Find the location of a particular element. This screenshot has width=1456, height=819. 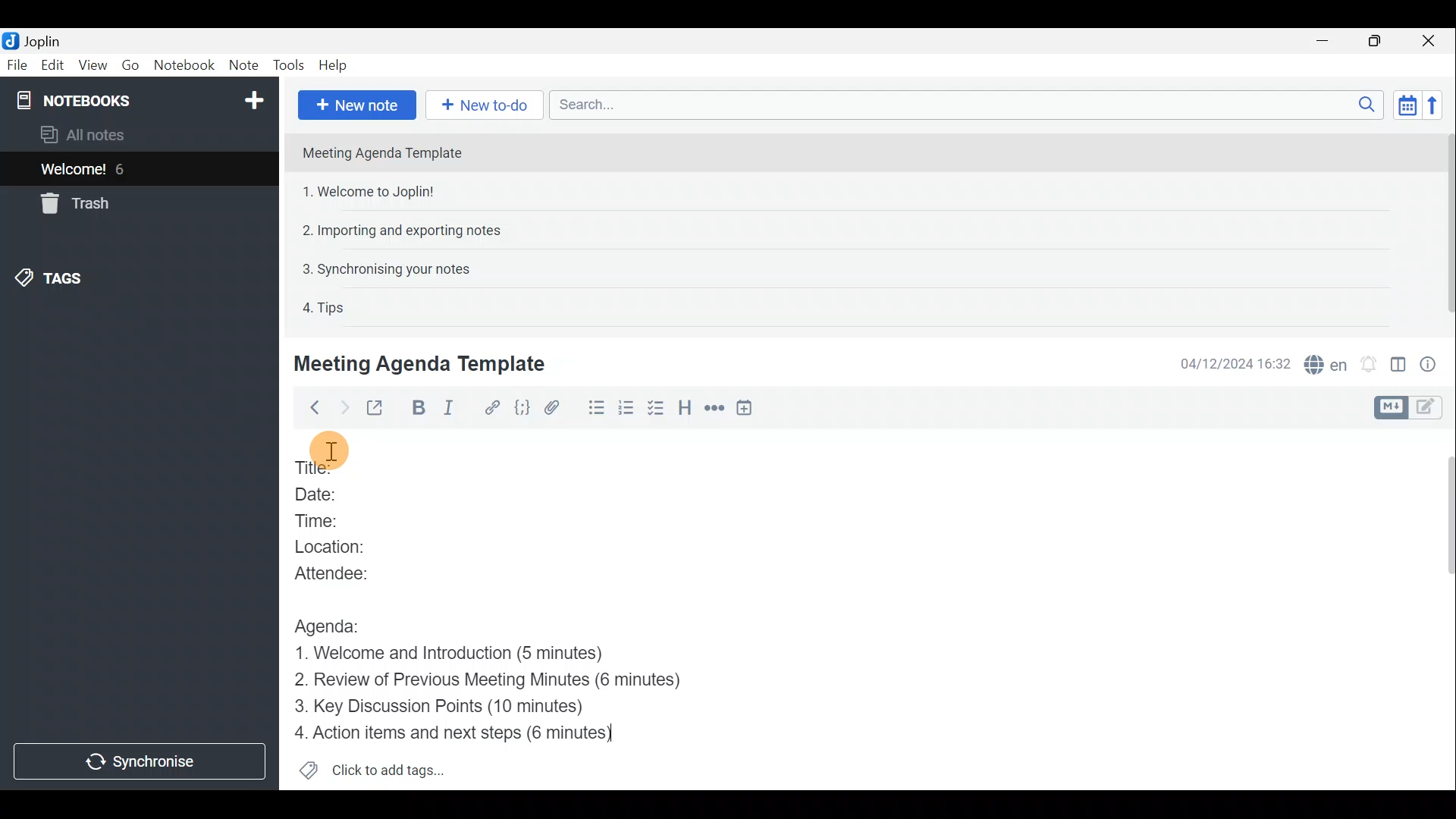

4. Tips is located at coordinates (325, 307).